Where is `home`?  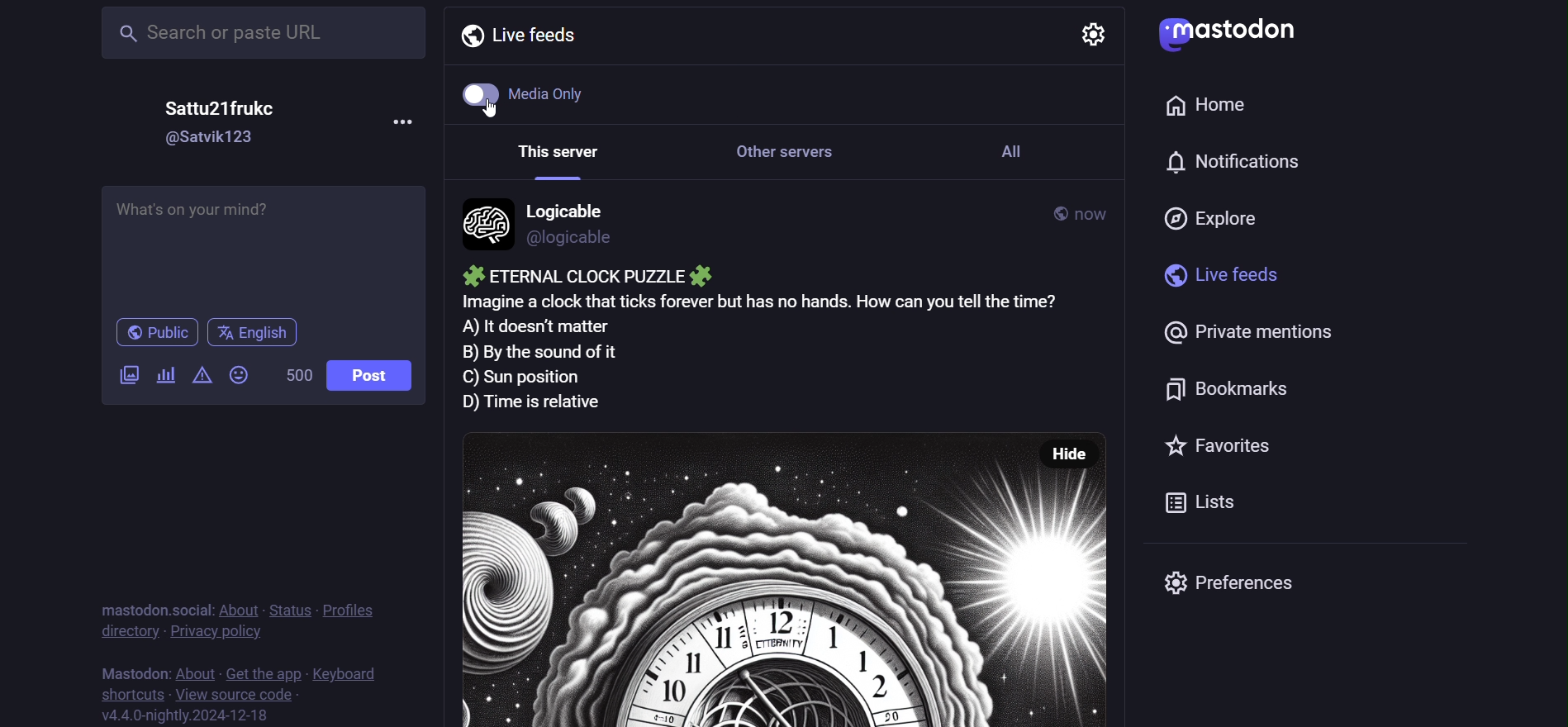
home is located at coordinates (1209, 102).